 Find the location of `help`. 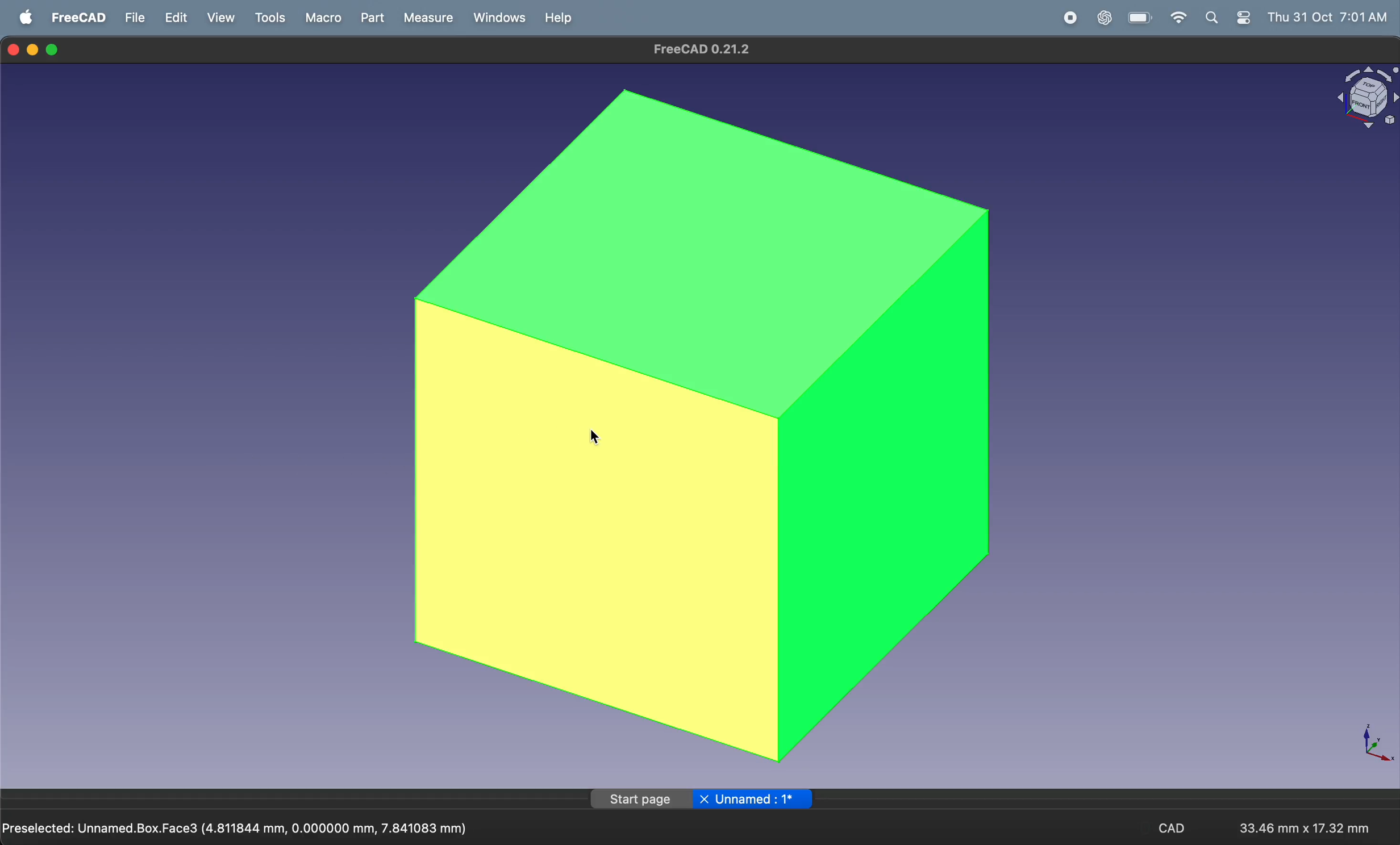

help is located at coordinates (558, 17).